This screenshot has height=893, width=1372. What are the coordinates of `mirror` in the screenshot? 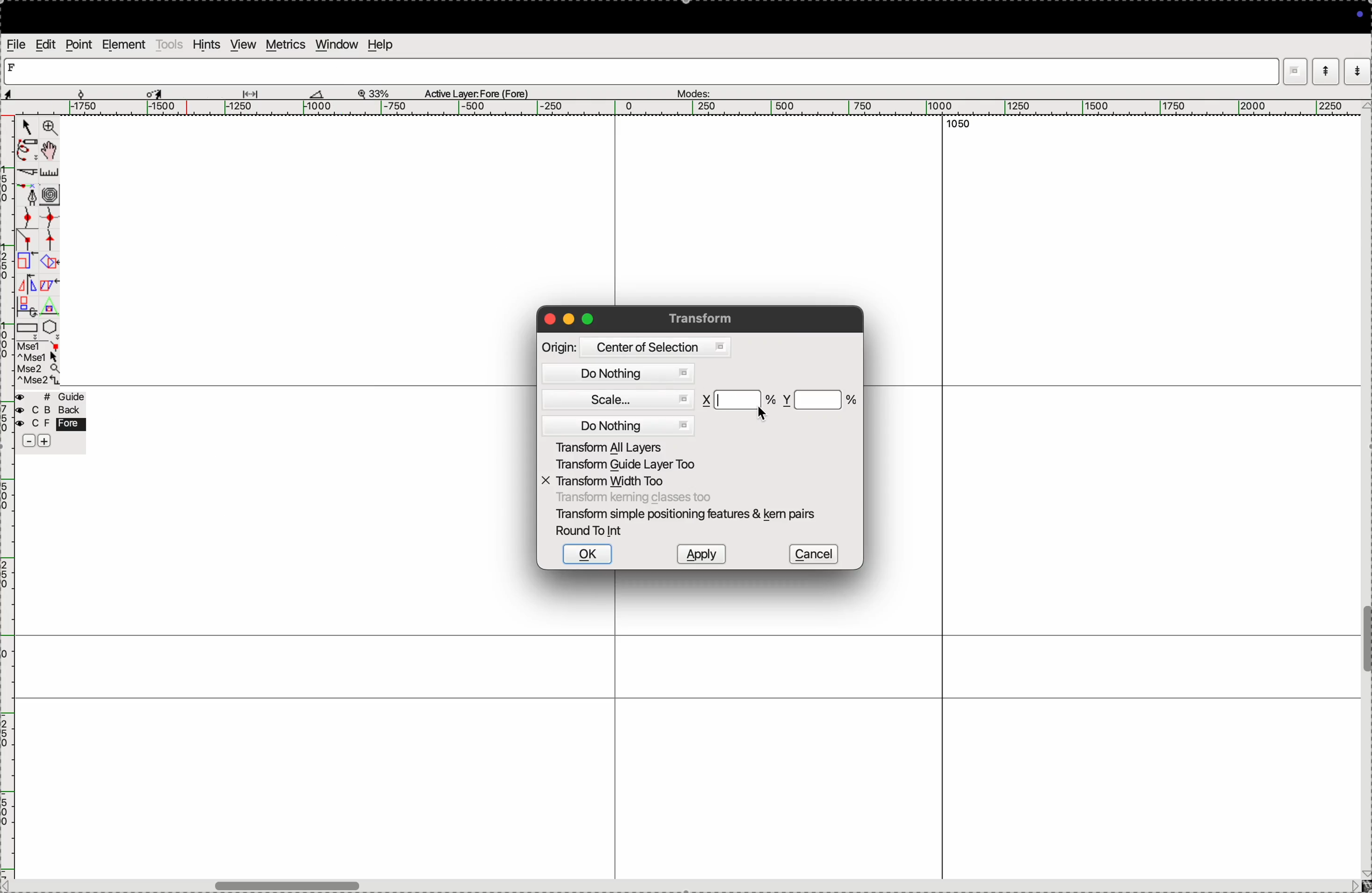 It's located at (37, 286).